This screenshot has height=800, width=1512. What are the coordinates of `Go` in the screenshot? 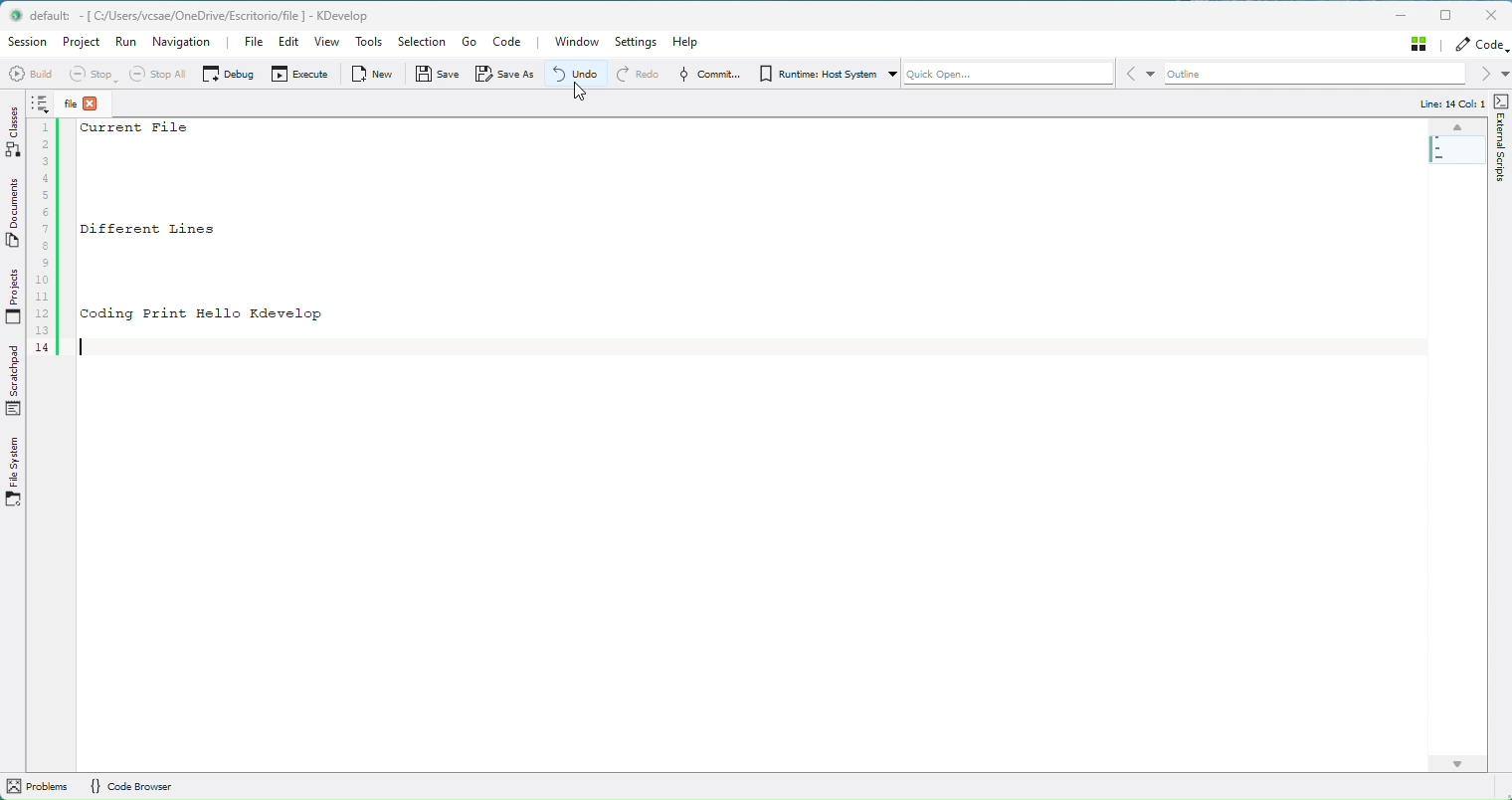 It's located at (470, 42).